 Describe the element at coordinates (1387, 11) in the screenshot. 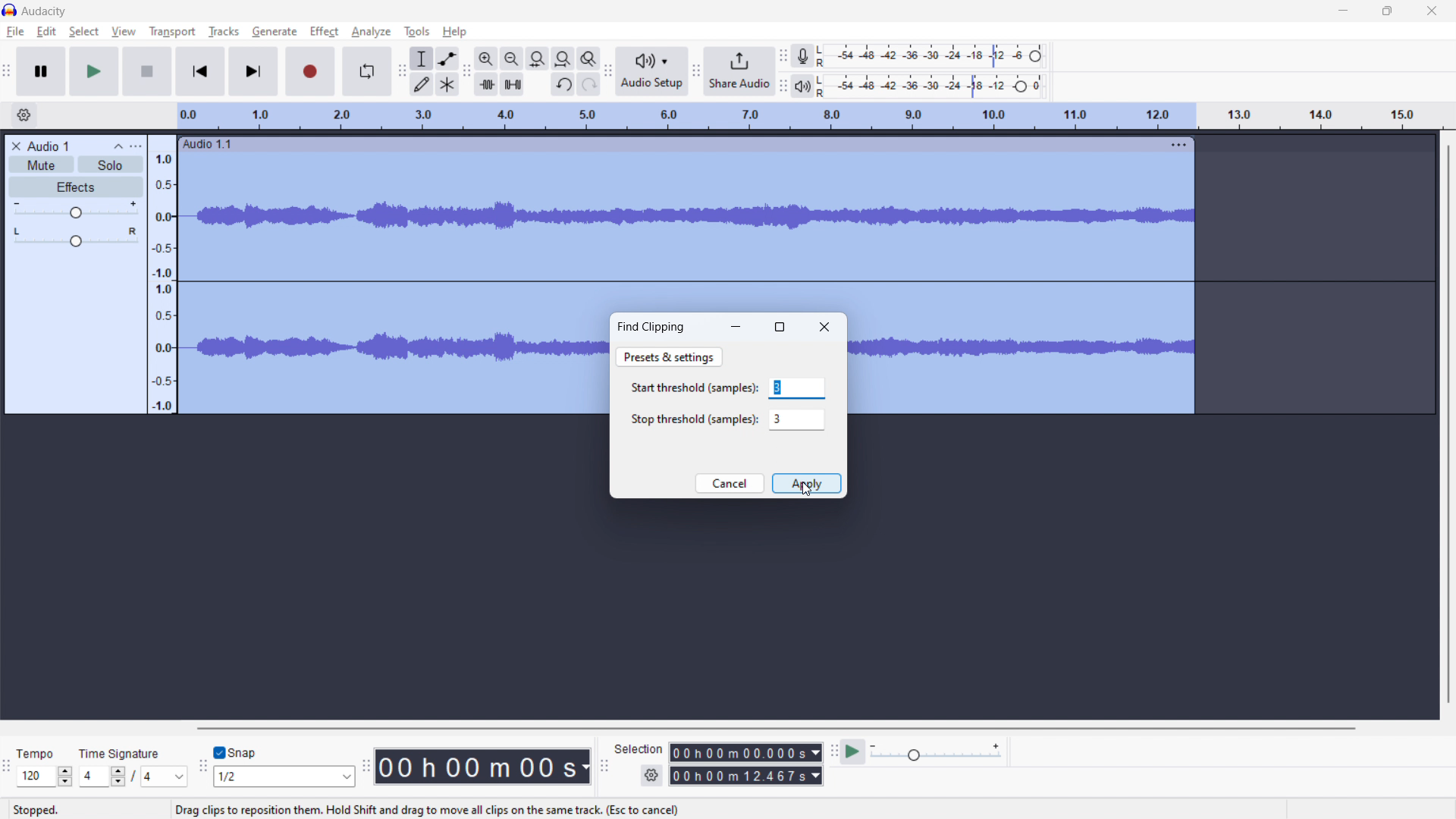

I see `maximize` at that location.